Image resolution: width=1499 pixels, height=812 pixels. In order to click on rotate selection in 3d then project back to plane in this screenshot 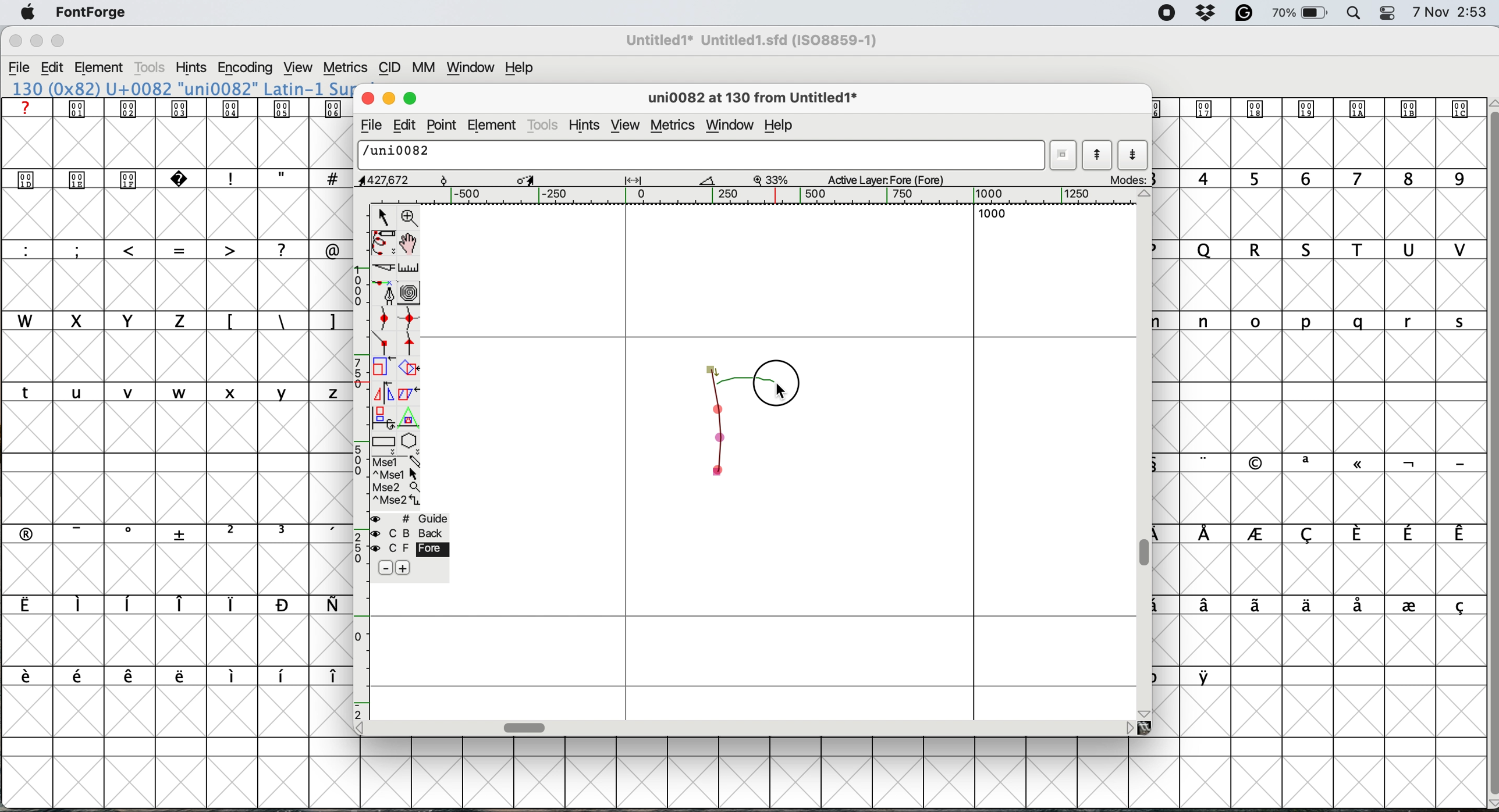, I will do `click(384, 418)`.